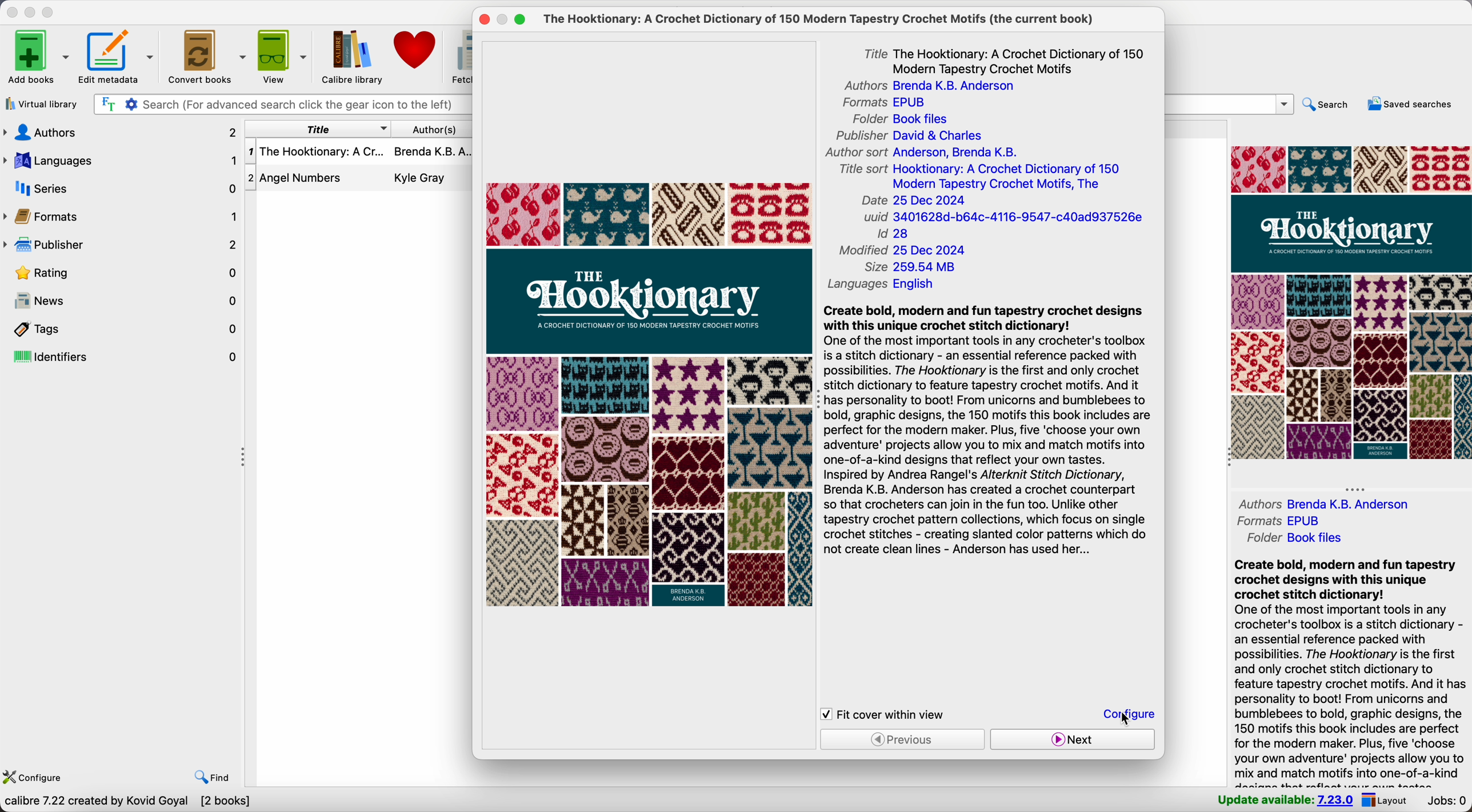 This screenshot has height=812, width=1472. Describe the element at coordinates (883, 103) in the screenshot. I see `formats` at that location.